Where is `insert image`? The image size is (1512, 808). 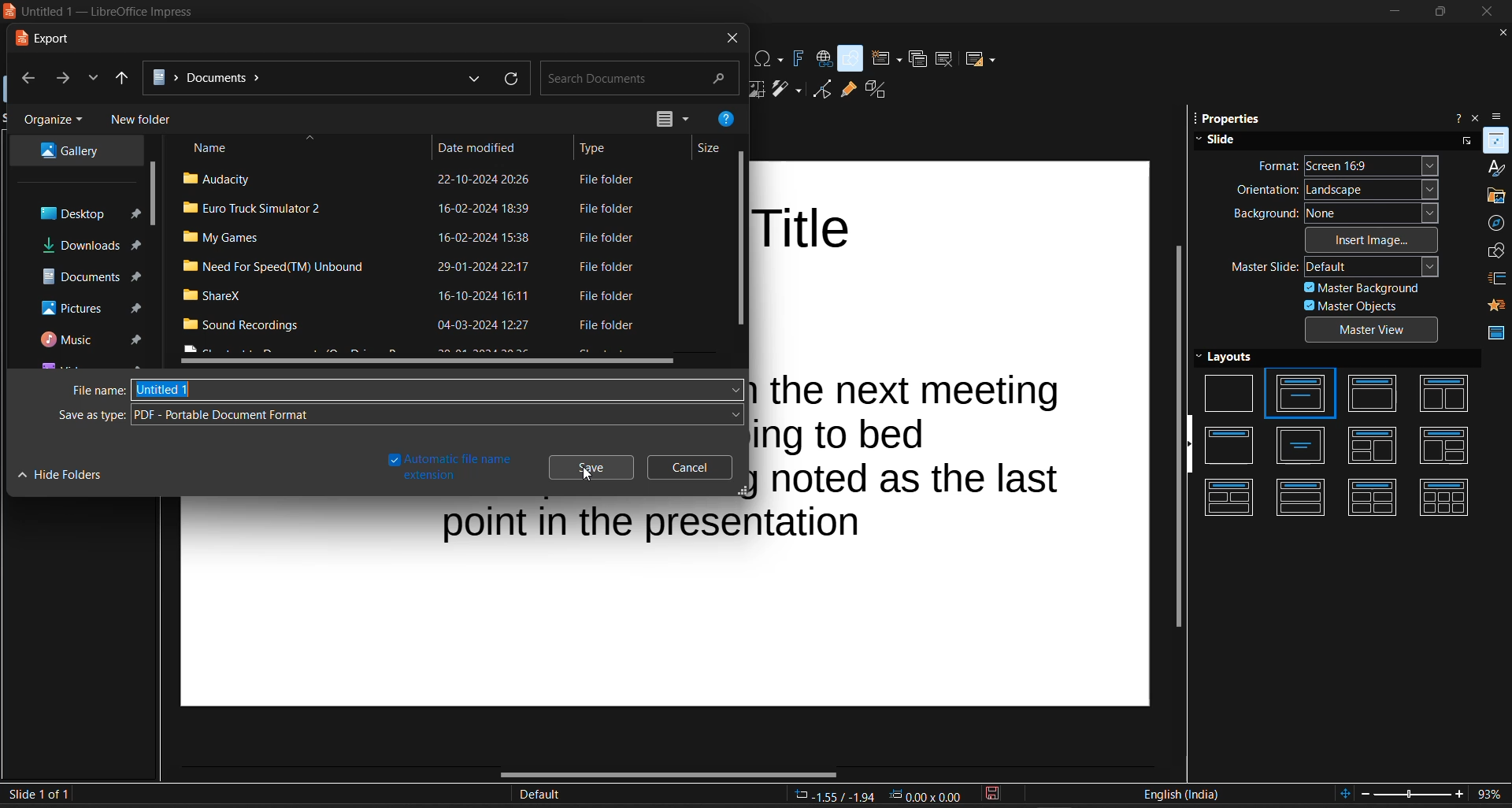 insert image is located at coordinates (1374, 239).